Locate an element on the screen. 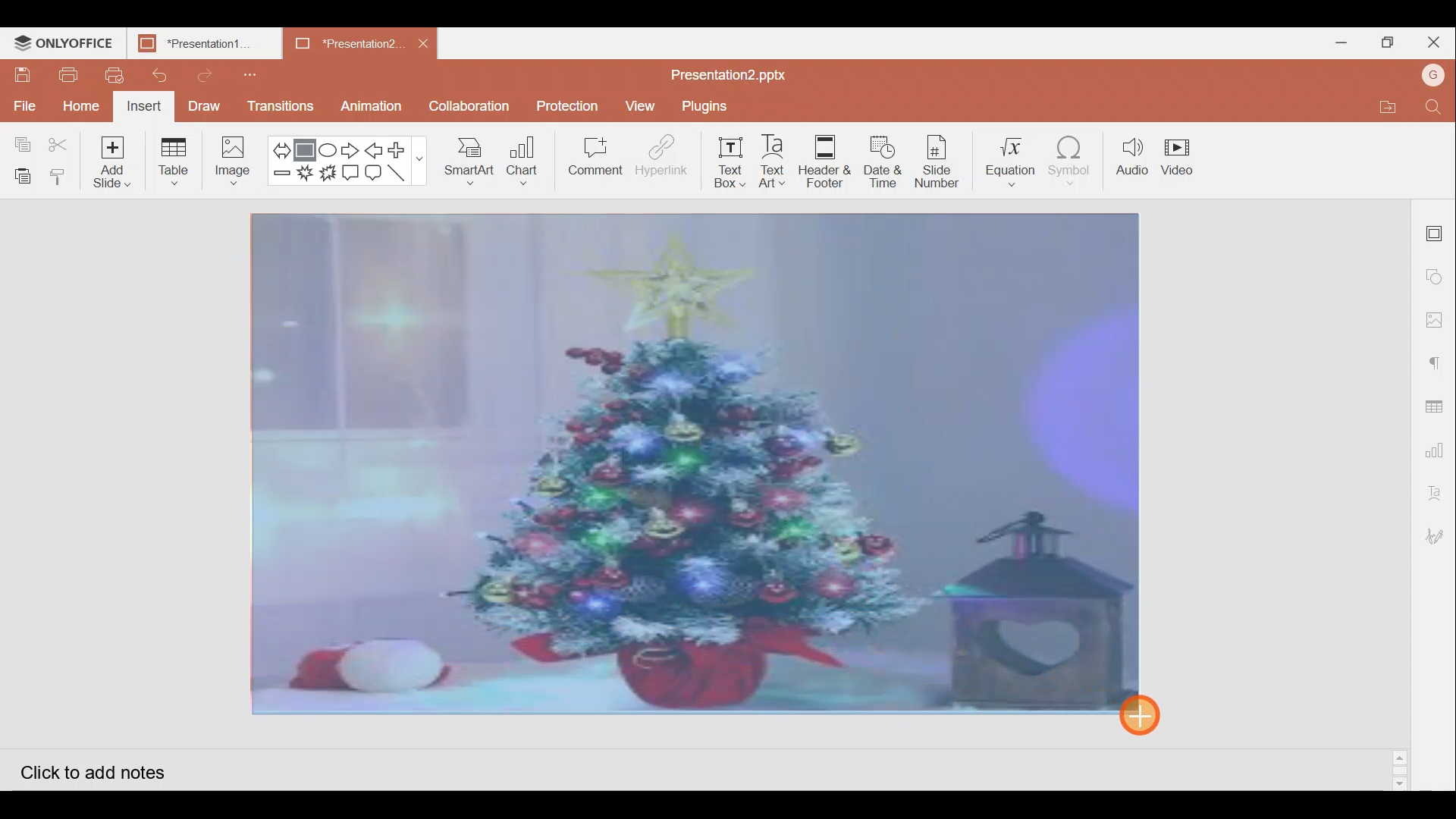  Quick print is located at coordinates (111, 73).